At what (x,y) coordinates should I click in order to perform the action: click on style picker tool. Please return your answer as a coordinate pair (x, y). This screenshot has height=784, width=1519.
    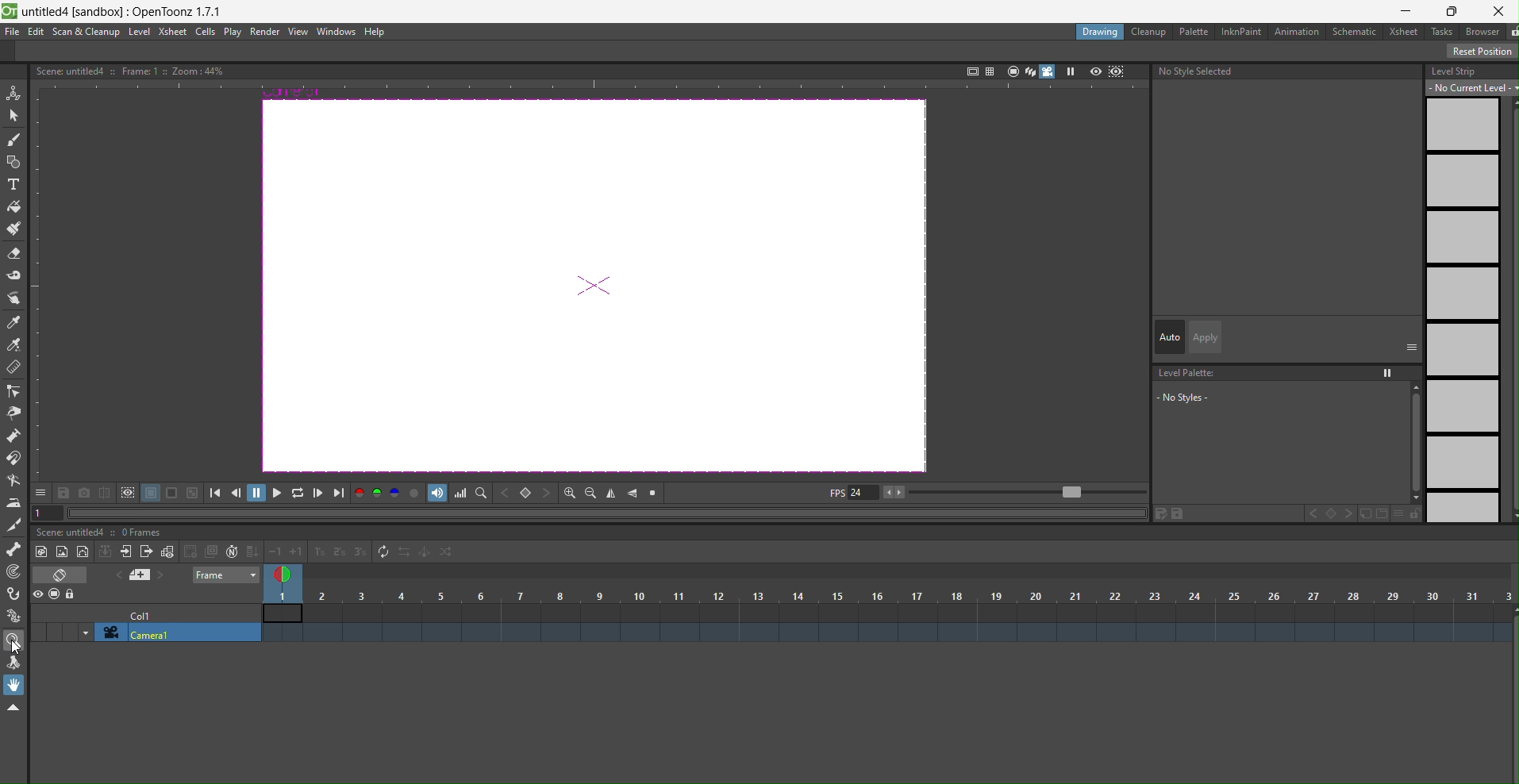
    Looking at the image, I should click on (17, 298).